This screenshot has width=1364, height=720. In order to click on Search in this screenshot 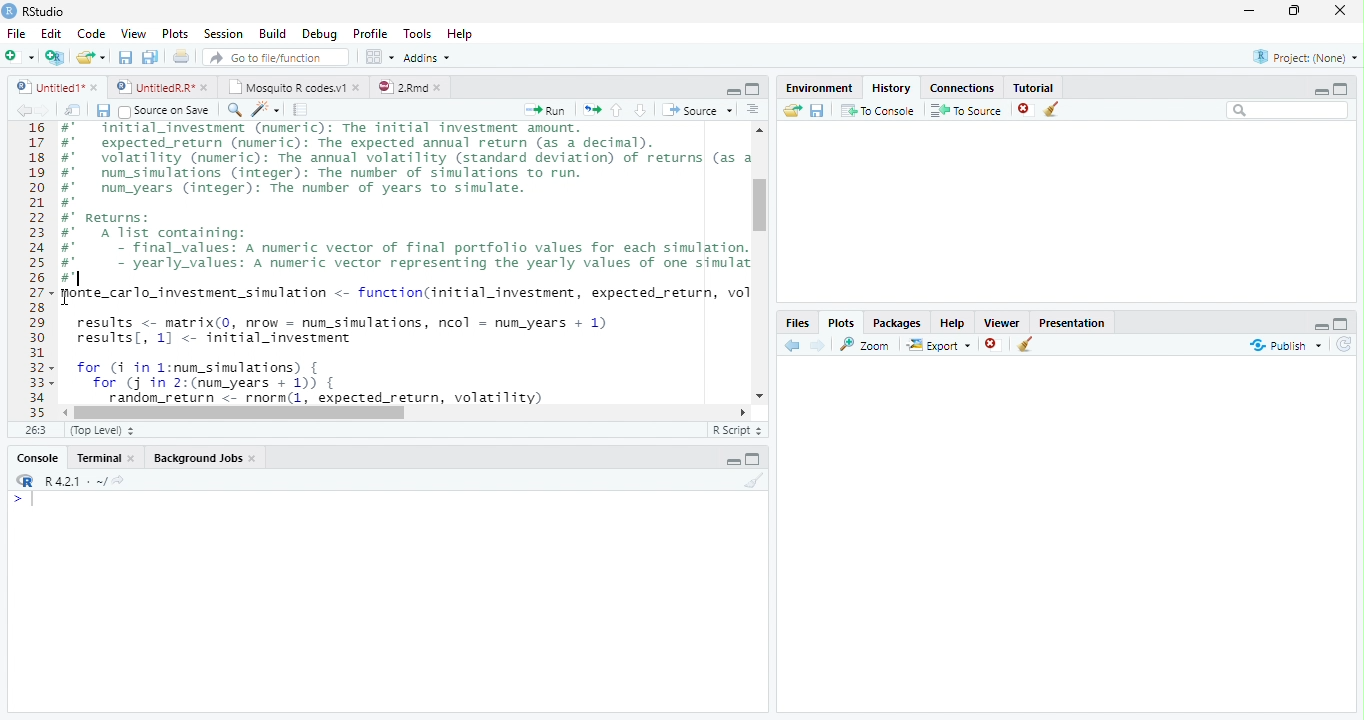, I will do `click(1288, 110)`.